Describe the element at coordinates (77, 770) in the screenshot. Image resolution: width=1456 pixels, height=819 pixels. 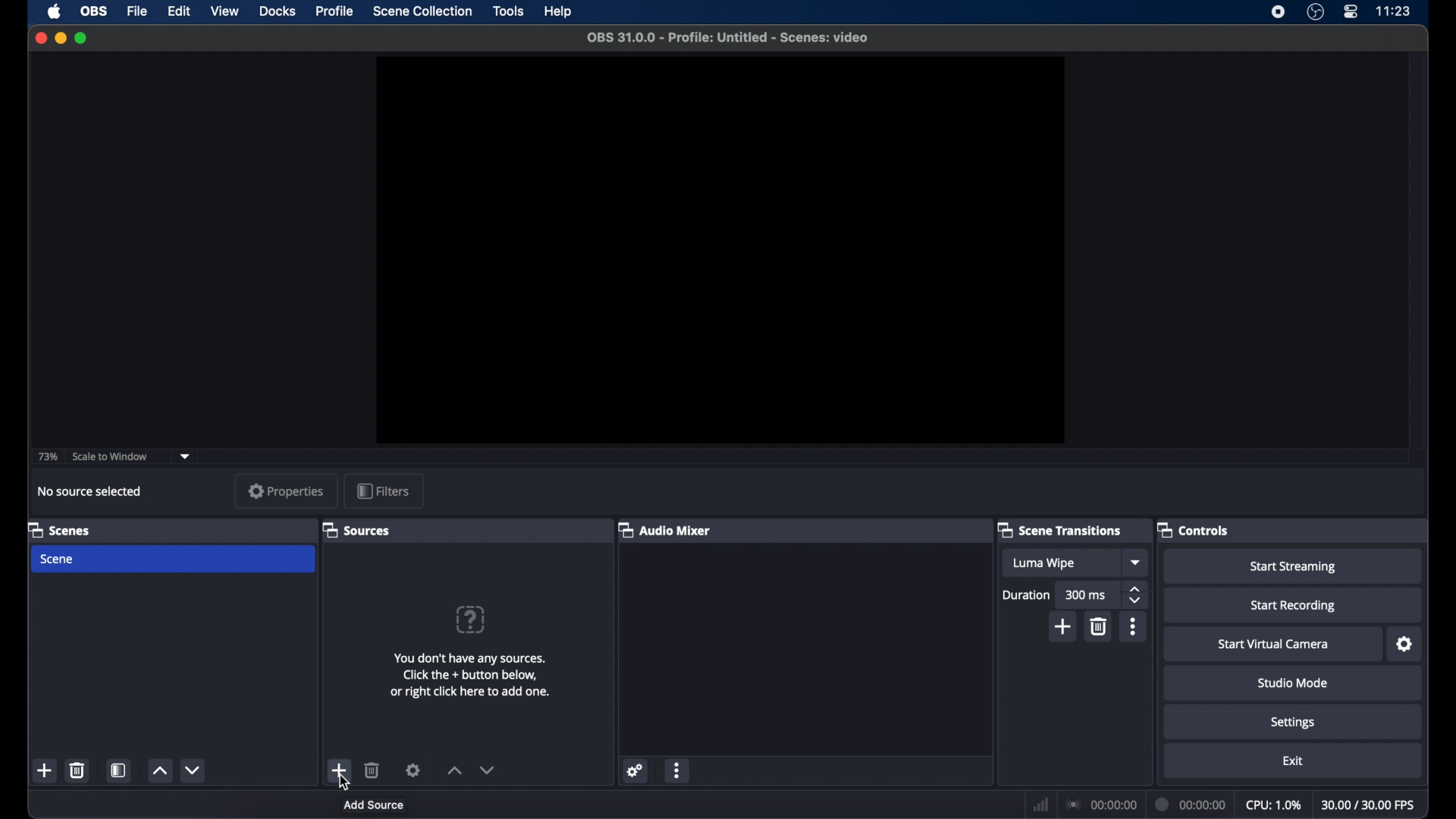
I see `delete` at that location.